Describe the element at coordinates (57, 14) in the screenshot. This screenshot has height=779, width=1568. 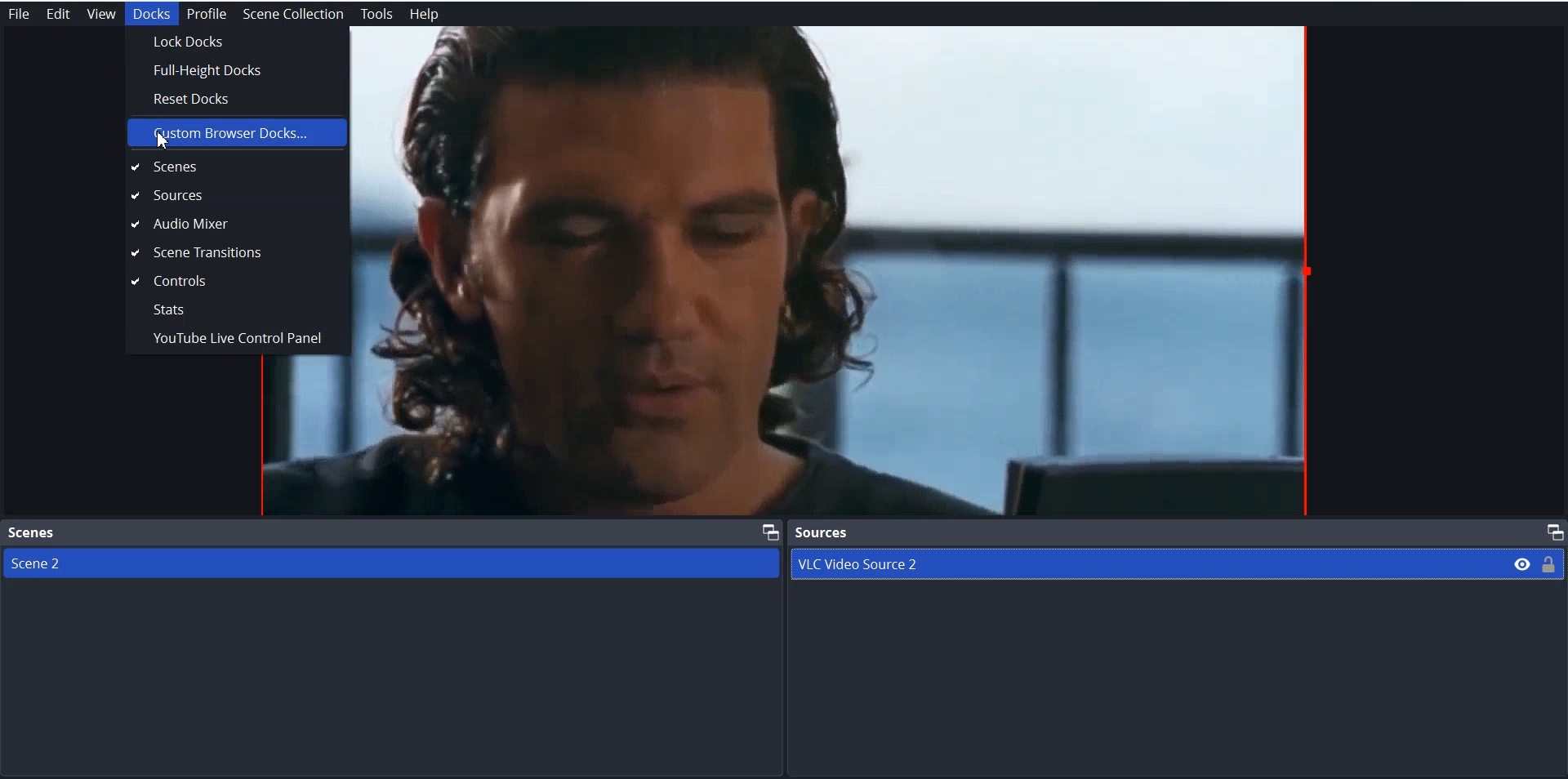
I see `Edit` at that location.